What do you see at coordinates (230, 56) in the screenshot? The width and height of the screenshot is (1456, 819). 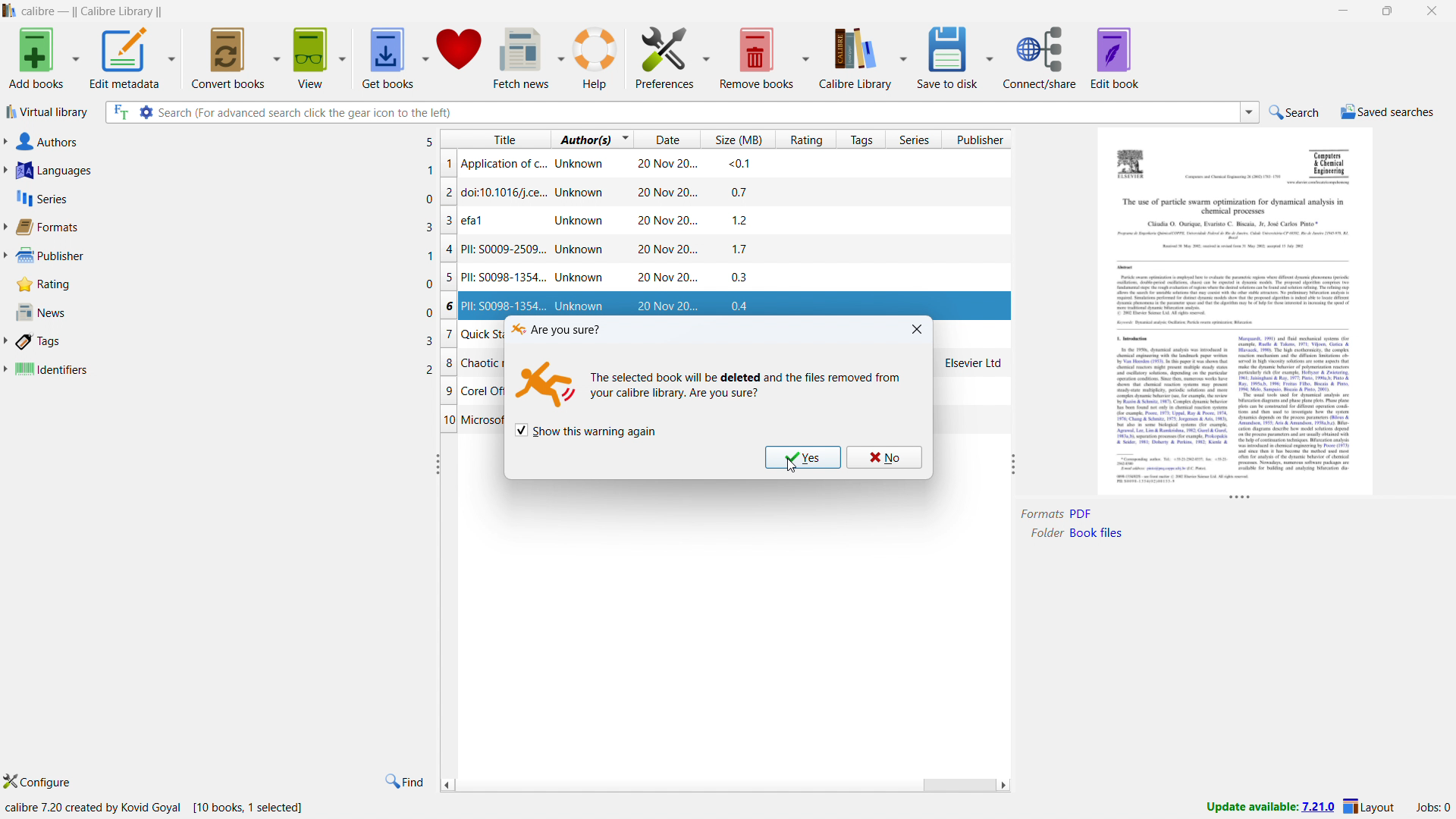 I see `convert books` at bounding box center [230, 56].